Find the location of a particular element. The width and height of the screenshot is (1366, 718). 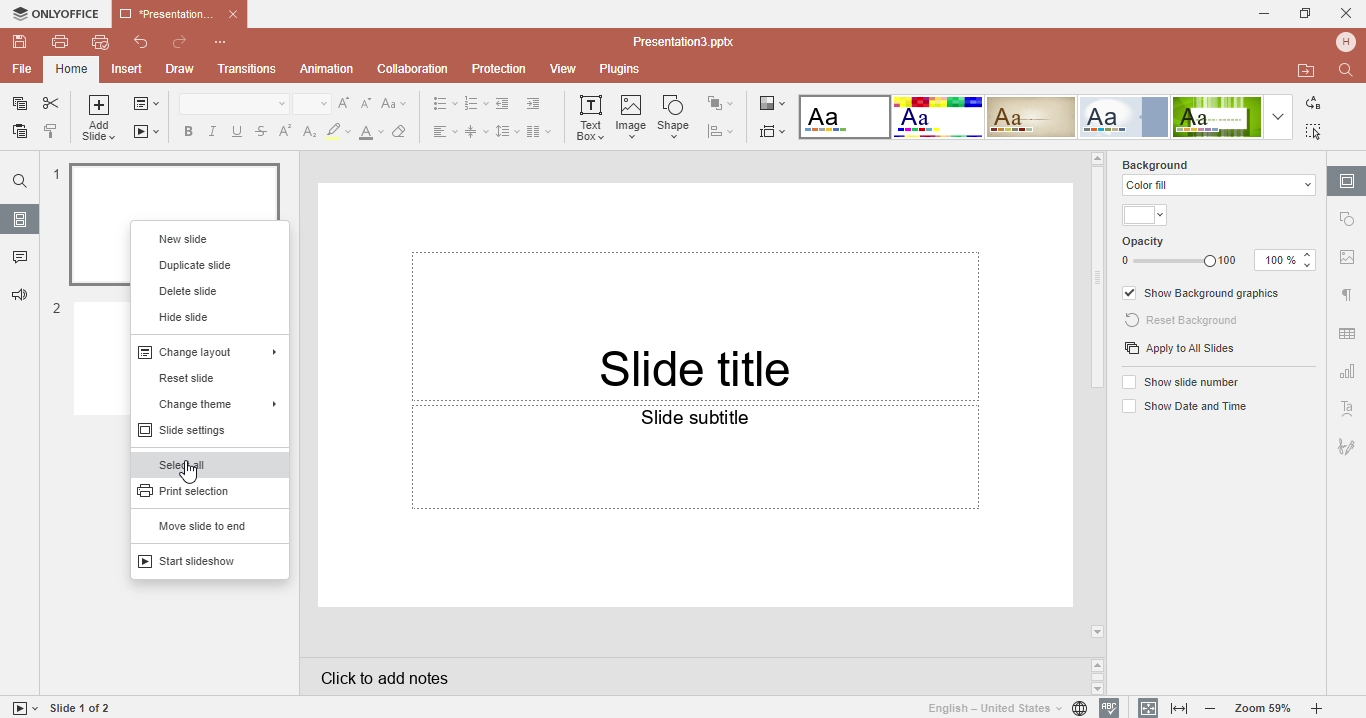

Collabration is located at coordinates (413, 70).